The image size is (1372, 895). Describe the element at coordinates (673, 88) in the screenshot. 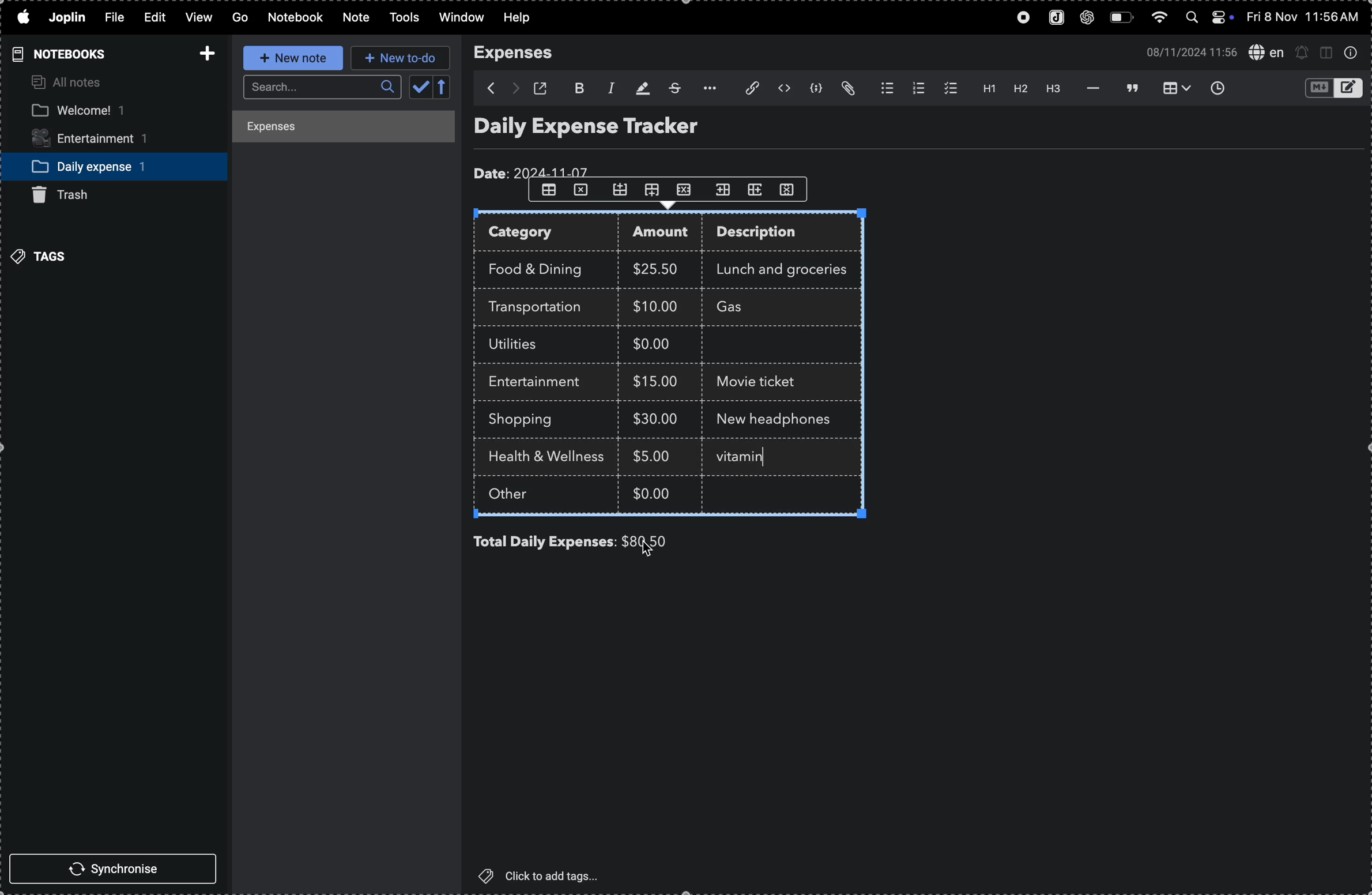

I see `strike through` at that location.